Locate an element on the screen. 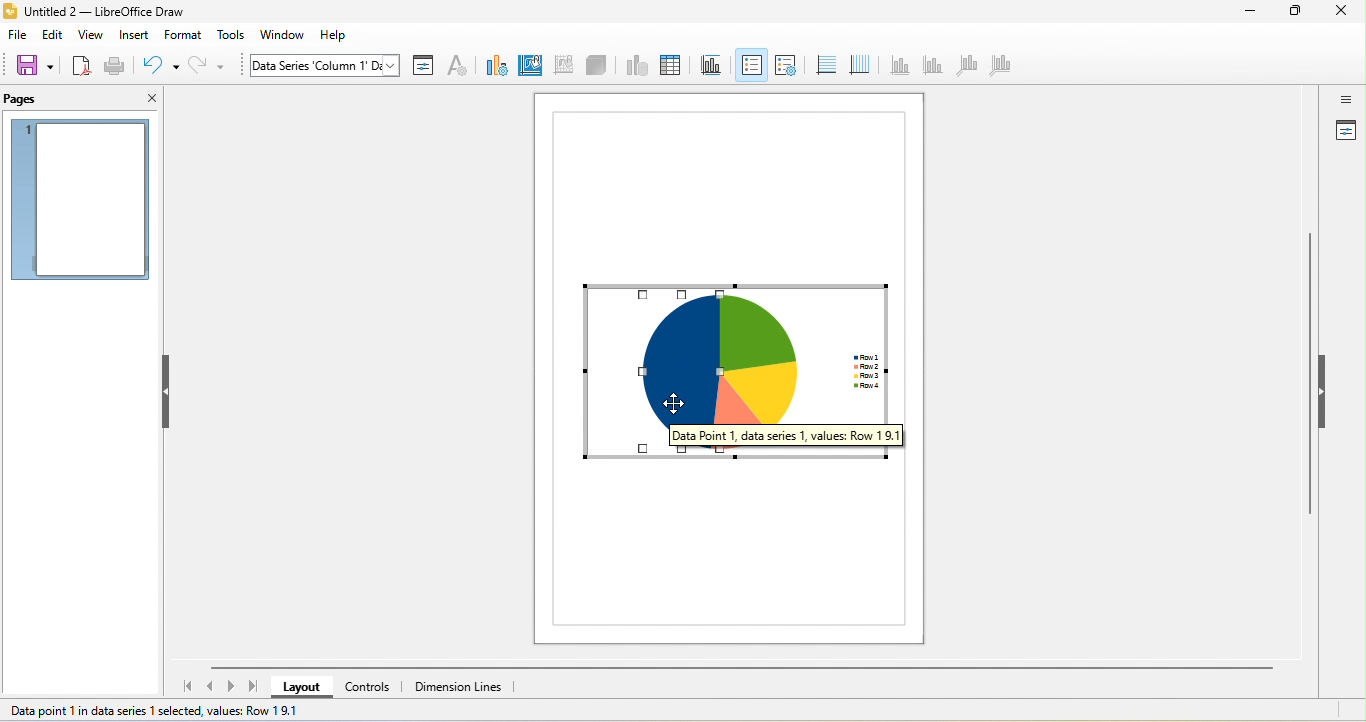 The width and height of the screenshot is (1366, 722). data point 1 in series 1 selected, values row 1.9.1 is located at coordinates (156, 713).